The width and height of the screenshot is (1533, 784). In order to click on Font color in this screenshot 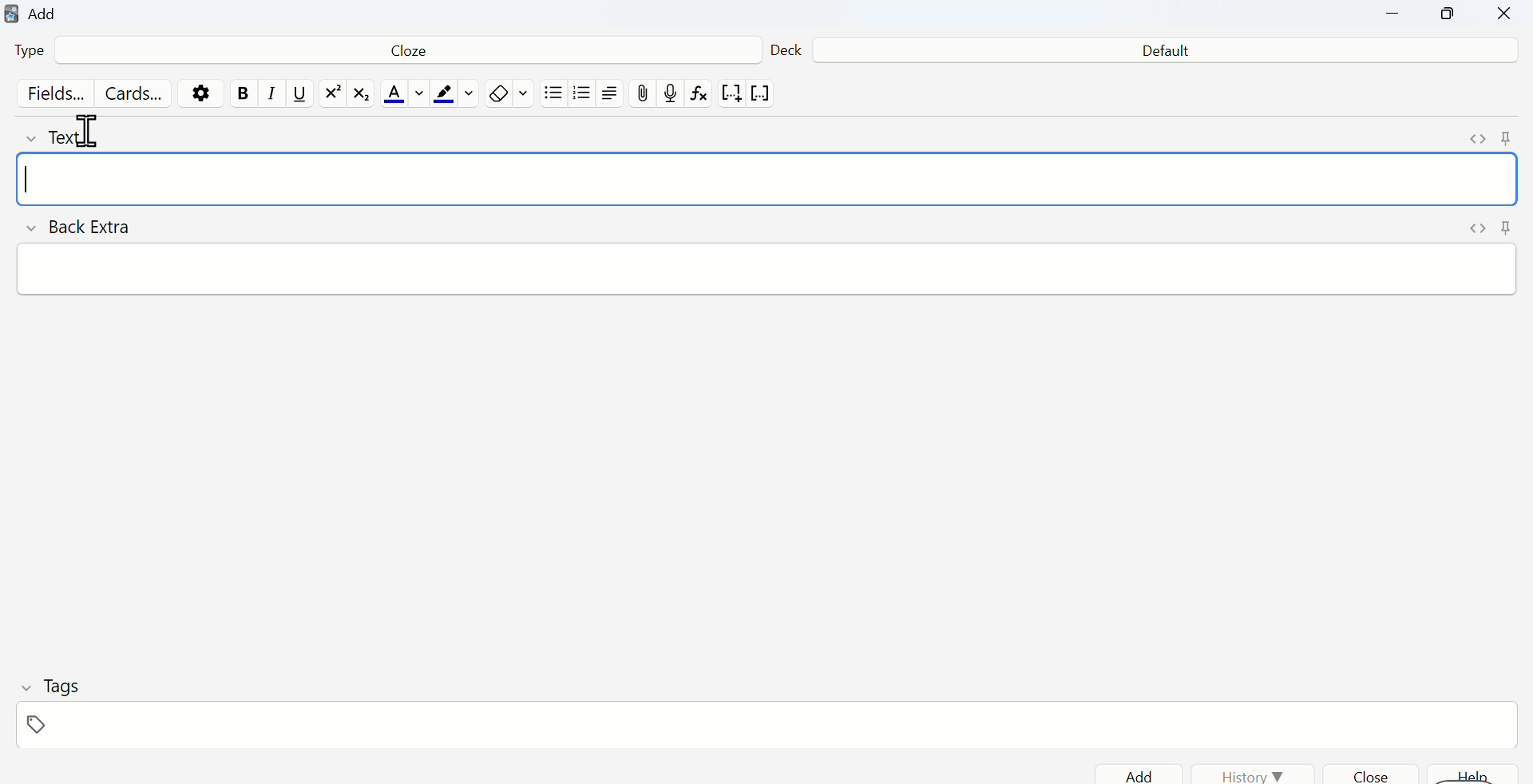, I will do `click(401, 95)`.